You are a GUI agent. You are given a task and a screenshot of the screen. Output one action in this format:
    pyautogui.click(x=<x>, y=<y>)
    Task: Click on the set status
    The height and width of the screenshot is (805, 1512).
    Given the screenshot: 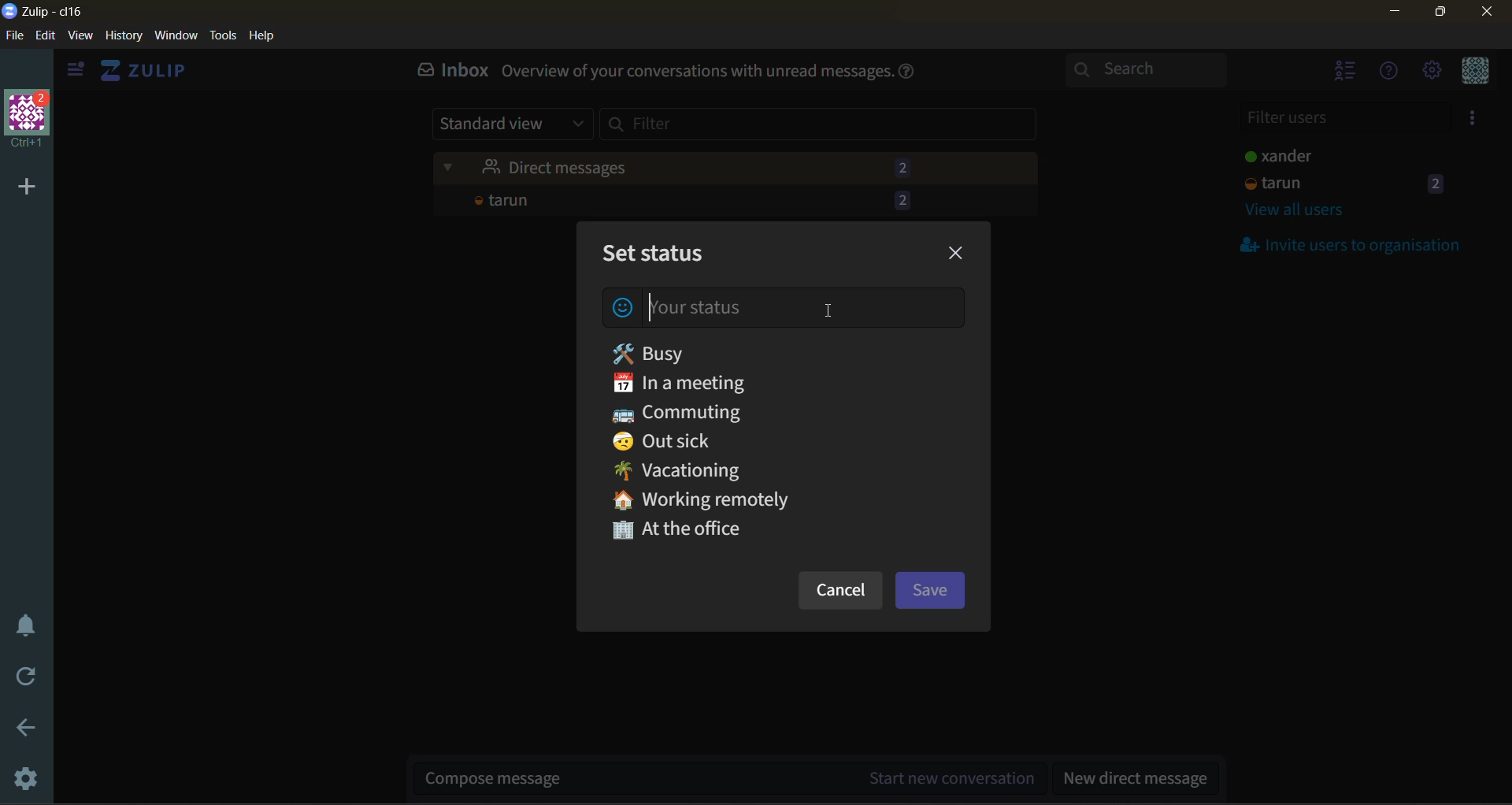 What is the action you would take?
    pyautogui.click(x=656, y=254)
    